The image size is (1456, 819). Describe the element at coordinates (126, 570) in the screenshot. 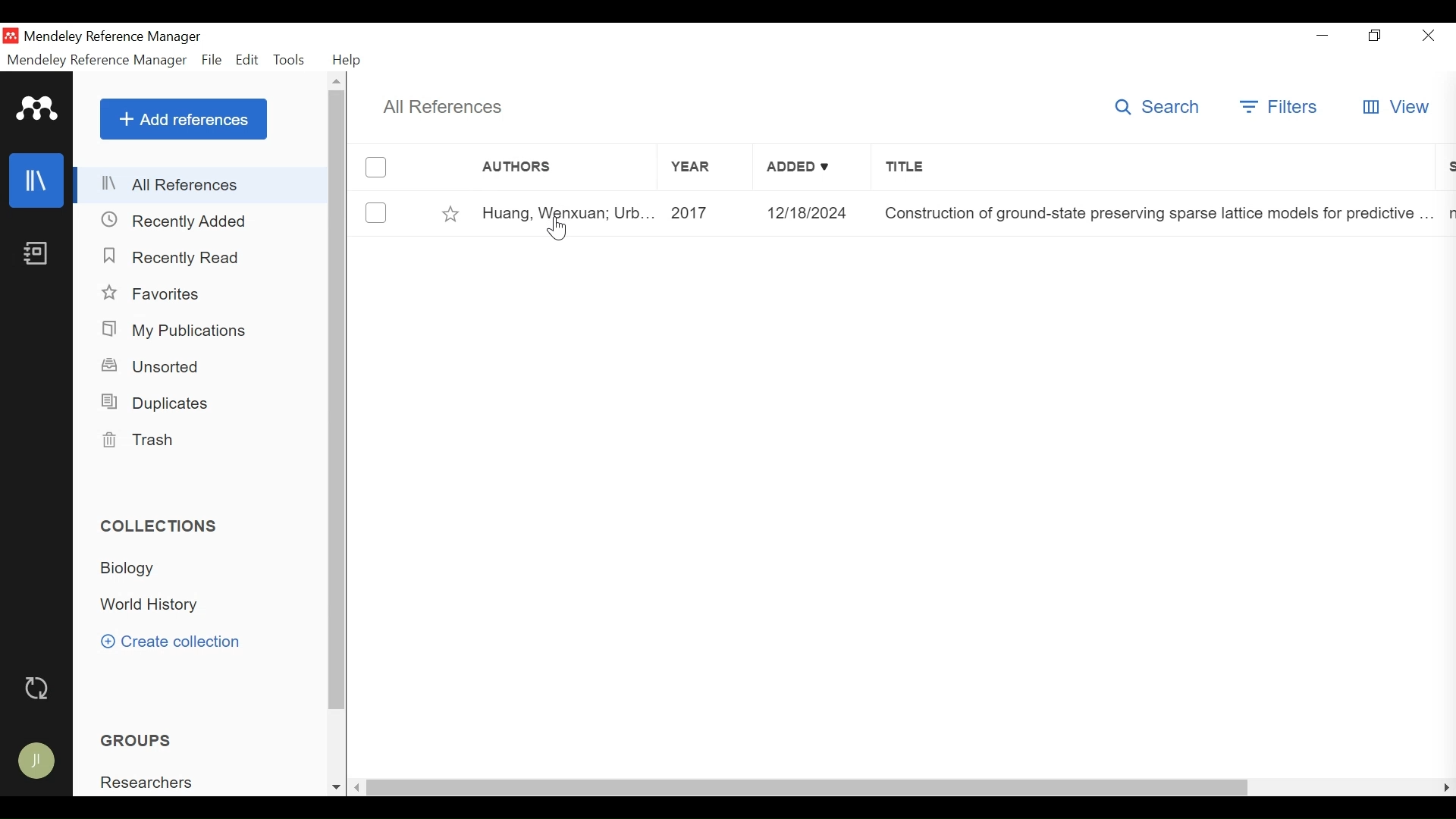

I see `Collection` at that location.